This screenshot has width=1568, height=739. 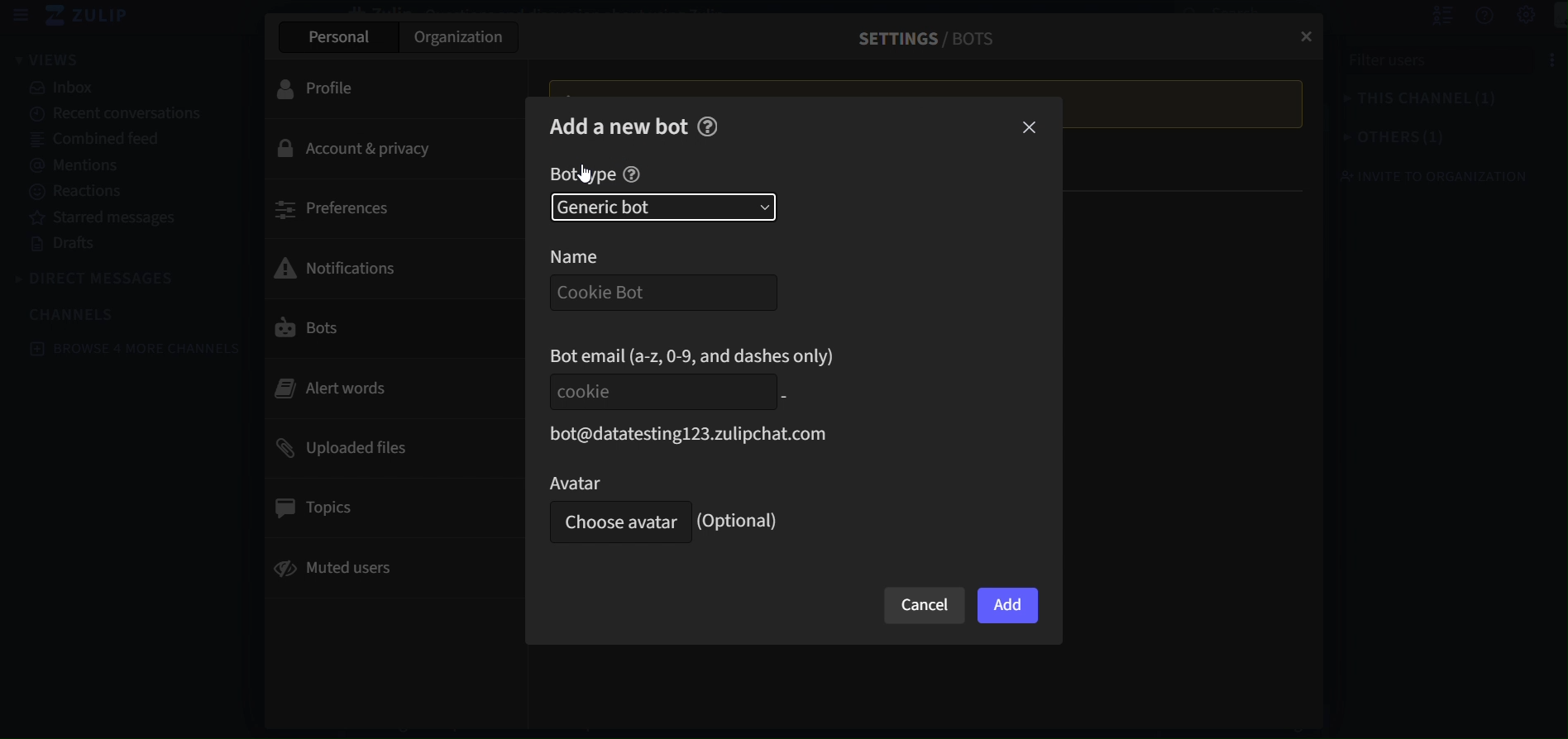 I want to click on zulip, so click(x=93, y=17).